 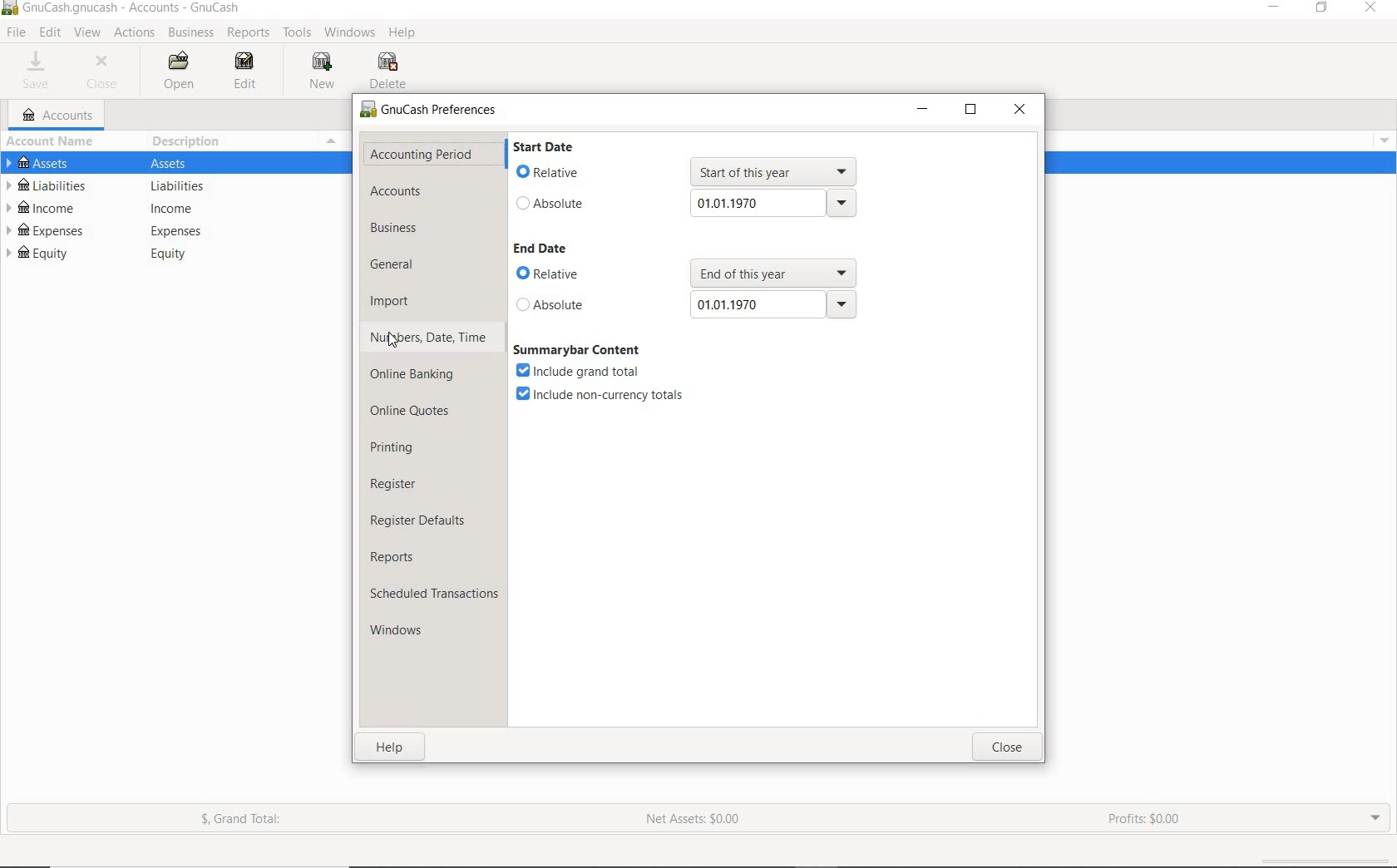 I want to click on general, so click(x=398, y=267).